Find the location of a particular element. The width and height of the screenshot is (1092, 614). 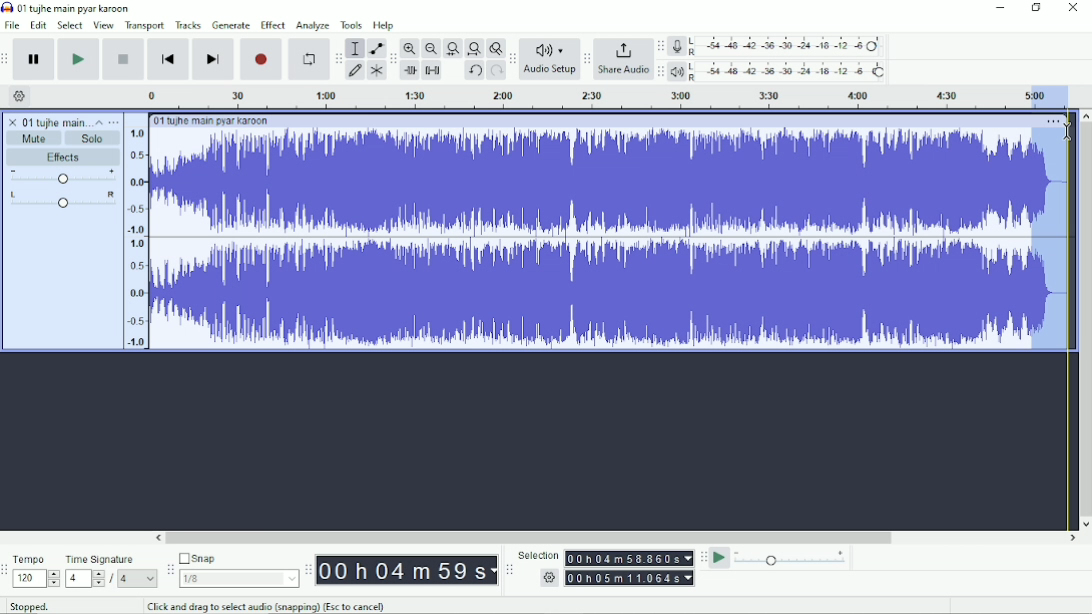

4 is located at coordinates (140, 578).